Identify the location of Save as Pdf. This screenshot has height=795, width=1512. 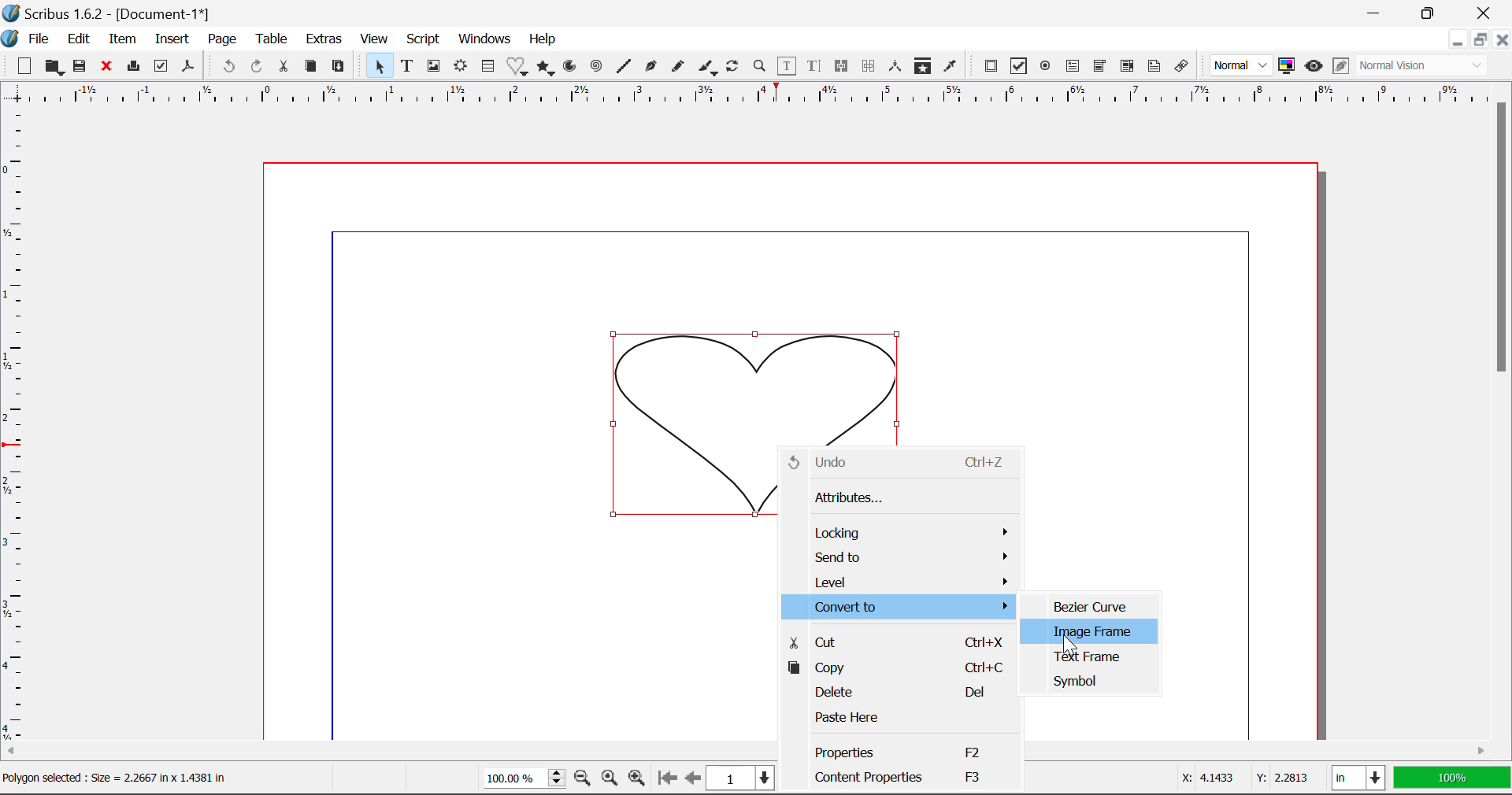
(187, 68).